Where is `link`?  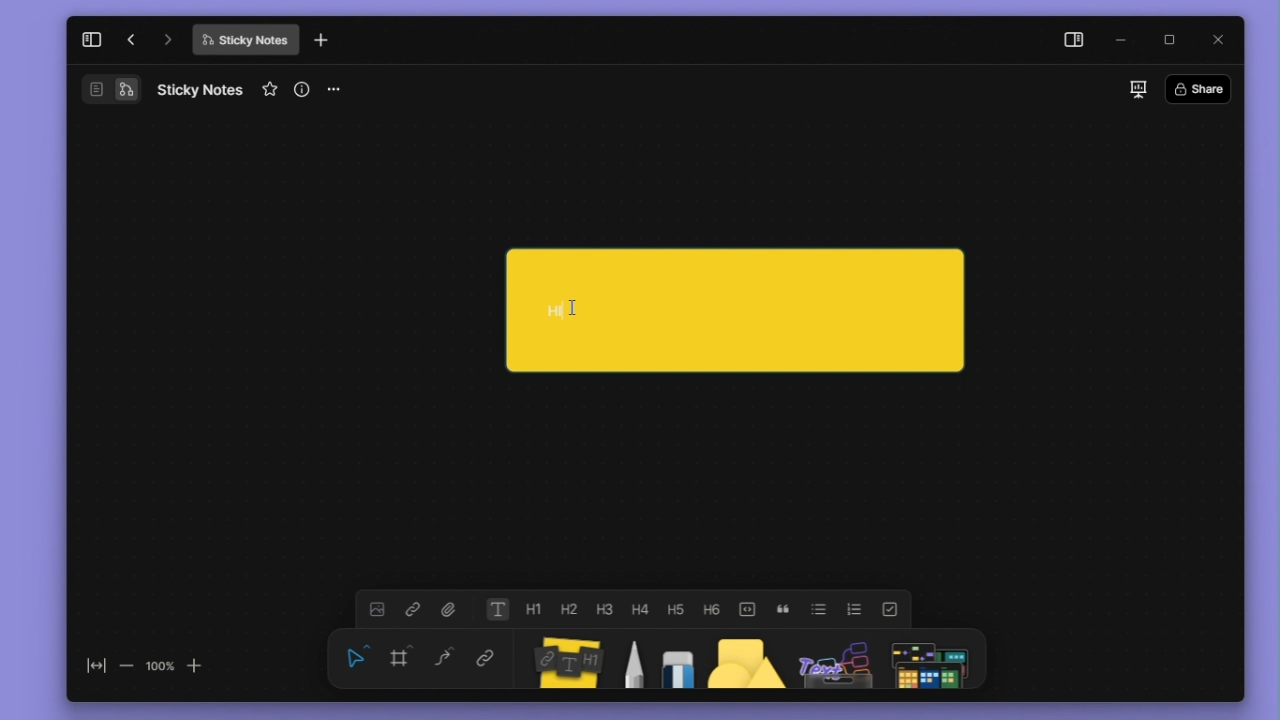
link is located at coordinates (491, 658).